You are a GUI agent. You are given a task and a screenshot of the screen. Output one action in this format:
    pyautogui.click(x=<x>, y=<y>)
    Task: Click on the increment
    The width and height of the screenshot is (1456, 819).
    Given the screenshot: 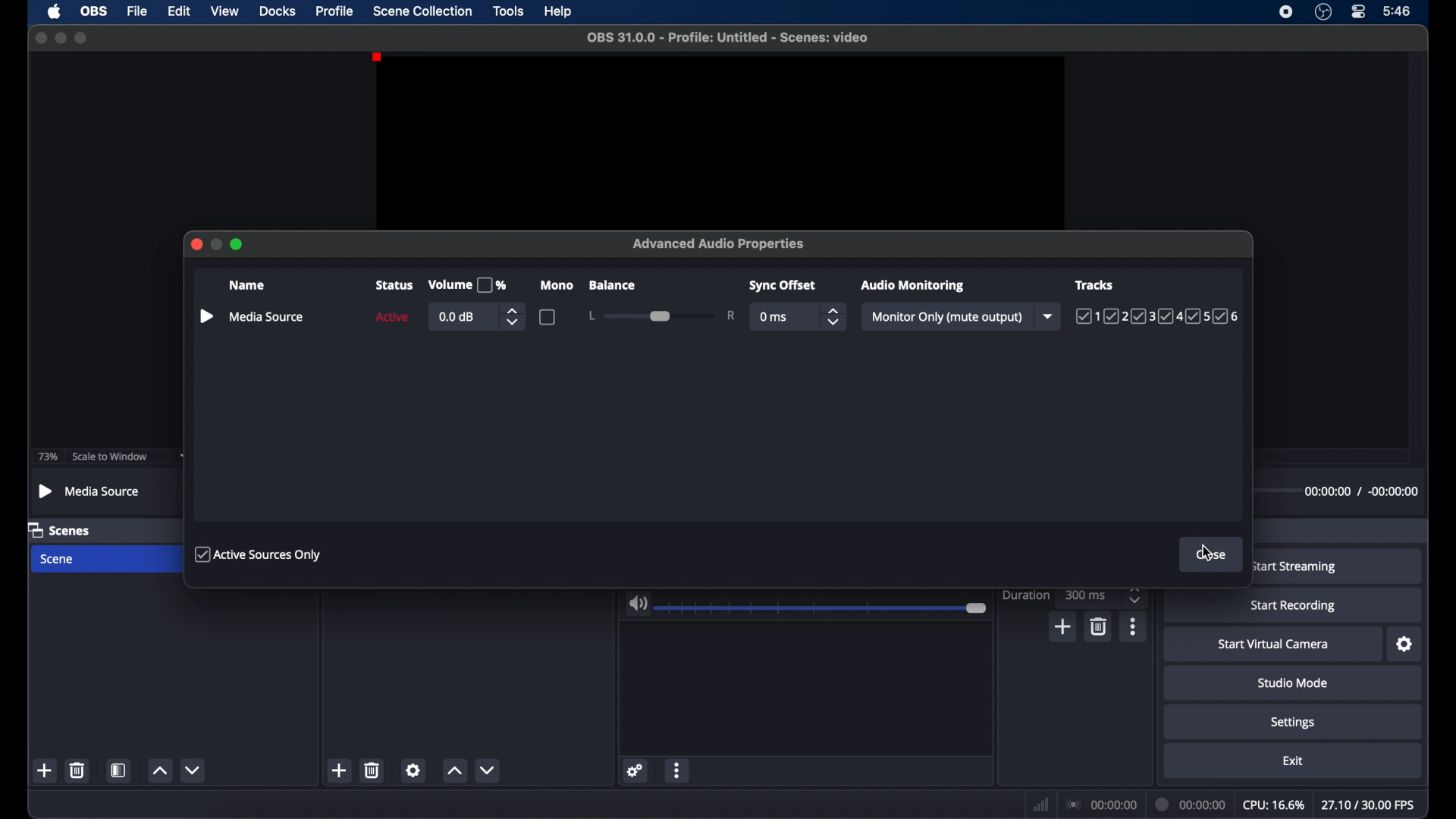 What is the action you would take?
    pyautogui.click(x=454, y=770)
    